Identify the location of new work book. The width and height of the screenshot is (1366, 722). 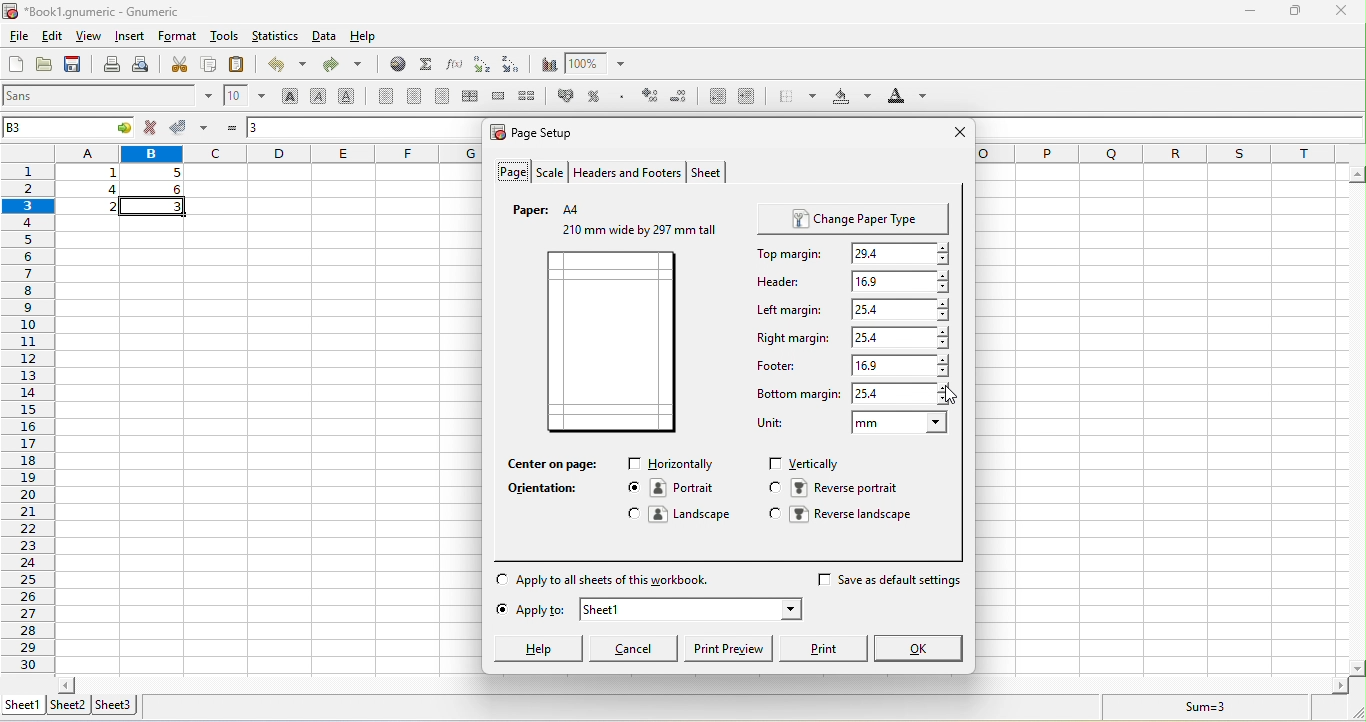
(16, 66).